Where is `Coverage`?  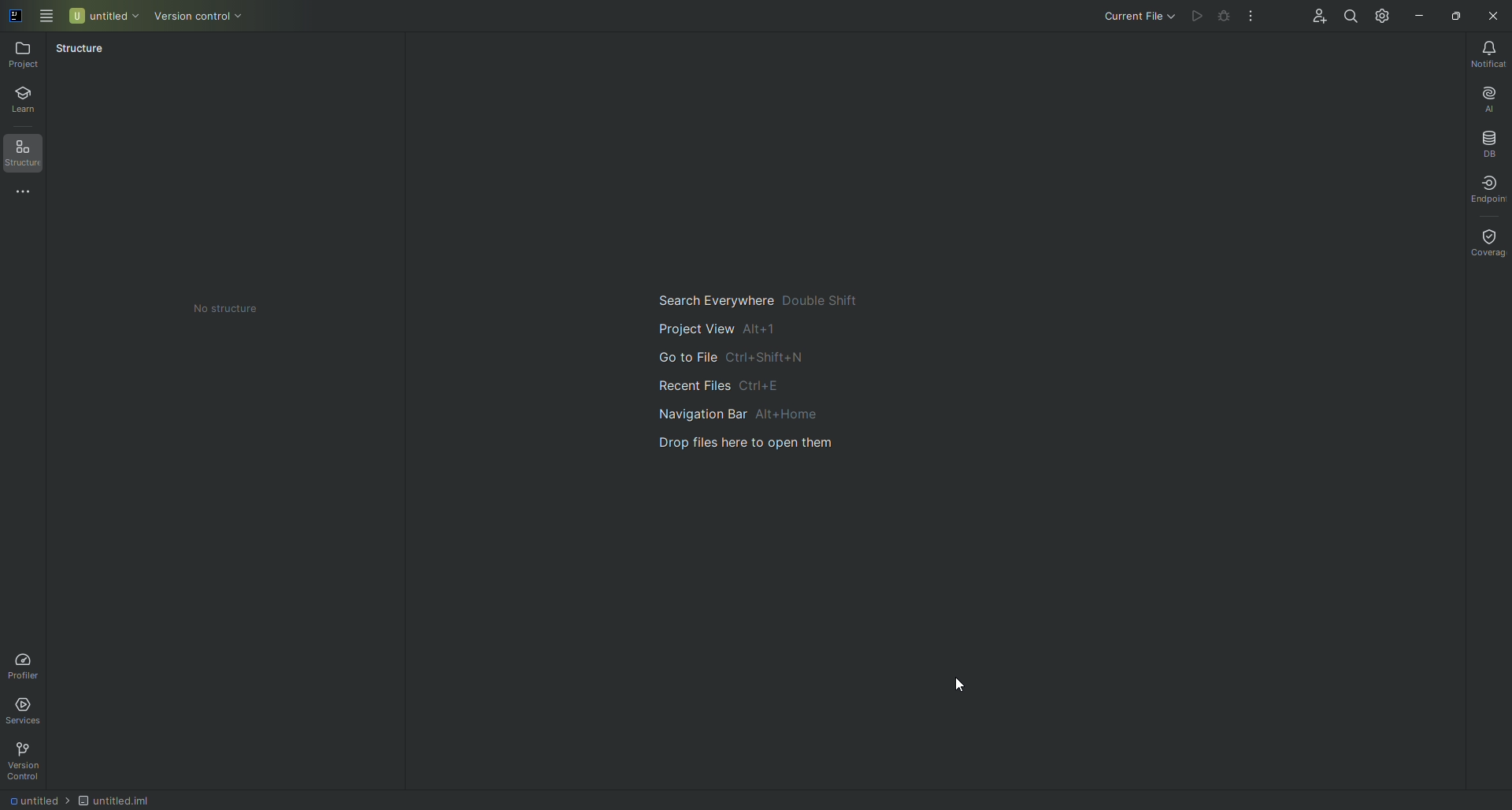 Coverage is located at coordinates (1486, 243).